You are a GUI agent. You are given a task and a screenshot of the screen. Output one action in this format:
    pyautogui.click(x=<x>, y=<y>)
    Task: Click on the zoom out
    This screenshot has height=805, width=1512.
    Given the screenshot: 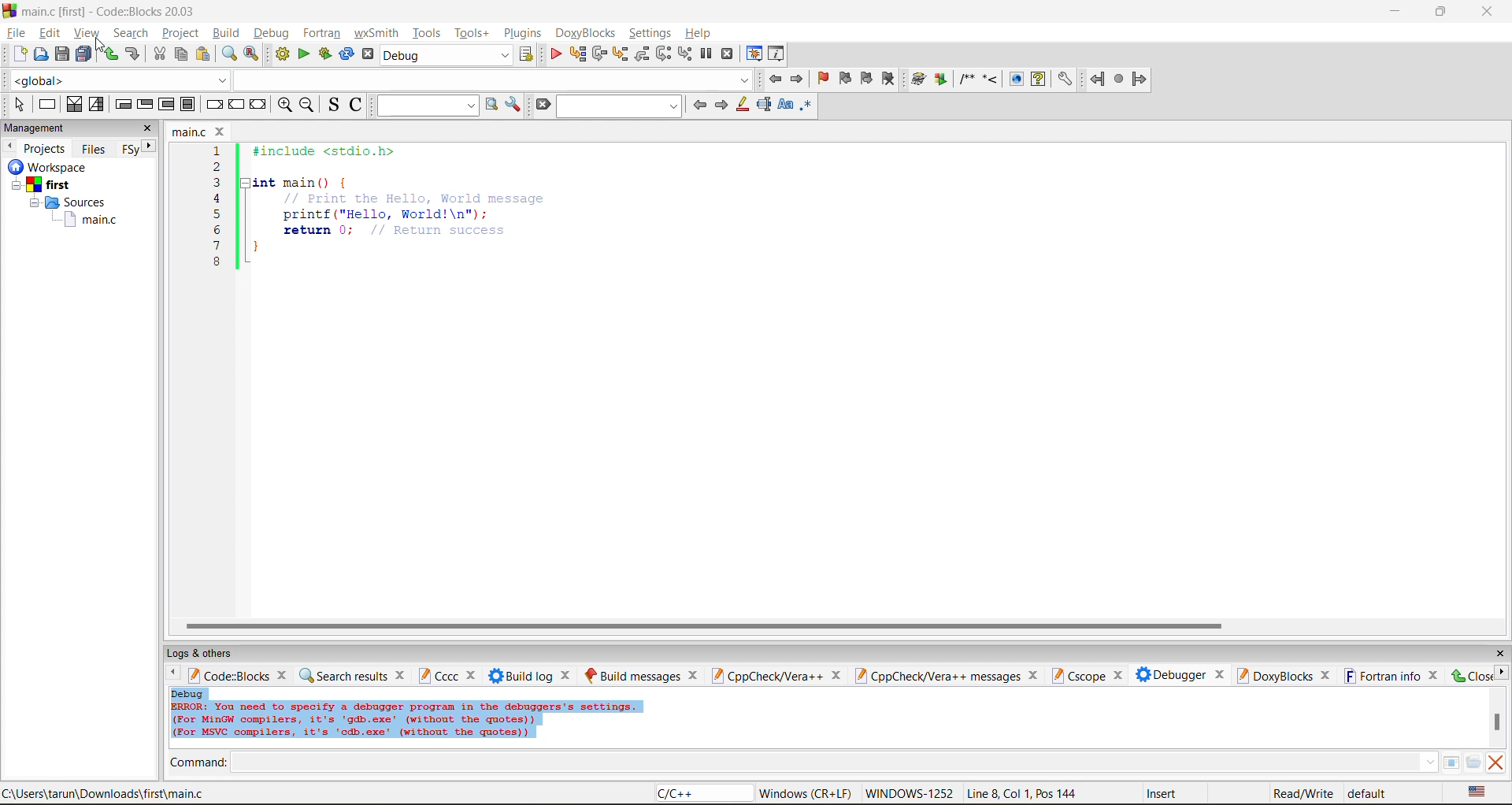 What is the action you would take?
    pyautogui.click(x=306, y=105)
    